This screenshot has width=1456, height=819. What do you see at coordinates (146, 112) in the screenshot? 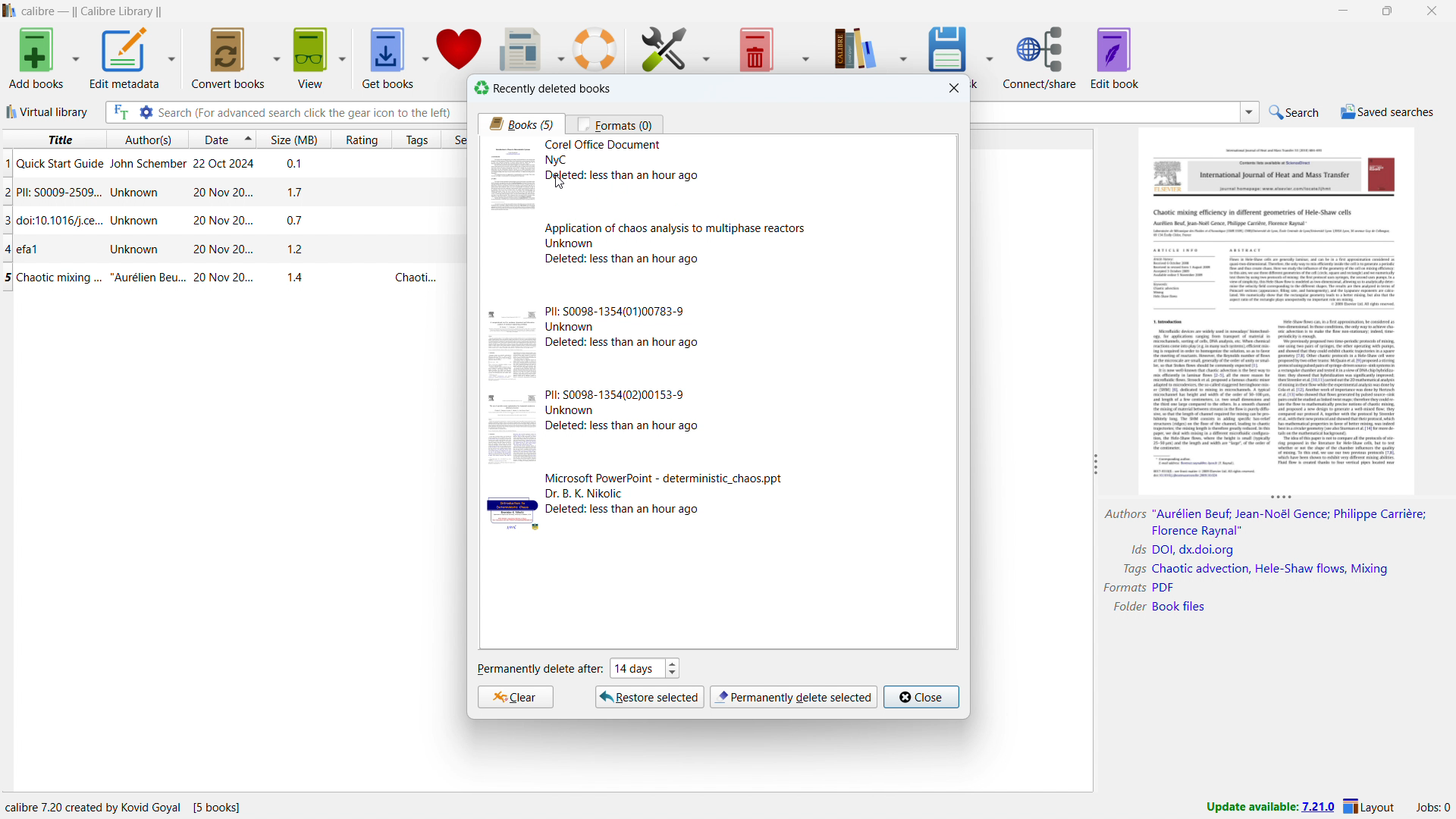
I see `advanced search` at bounding box center [146, 112].